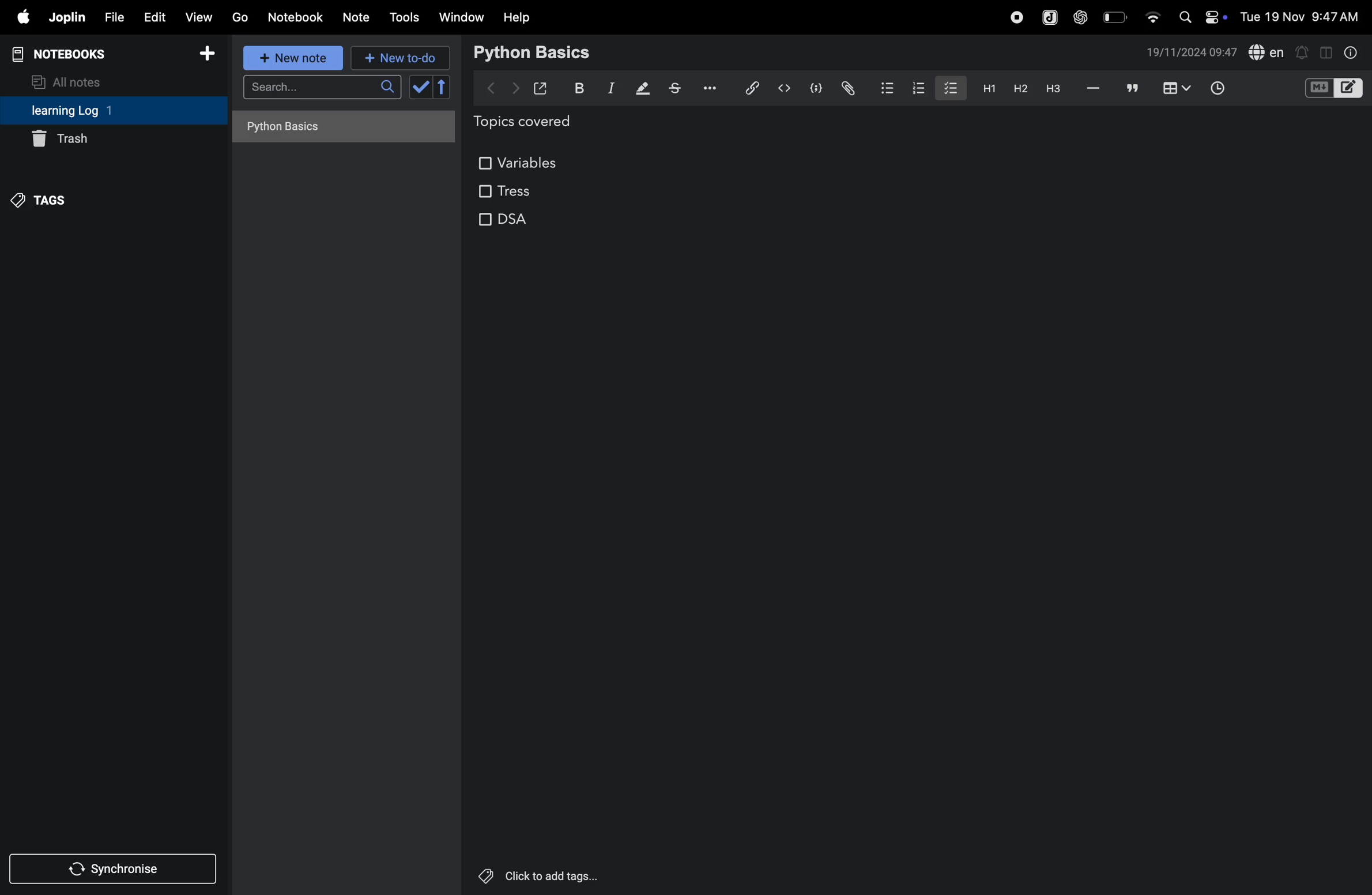 This screenshot has width=1372, height=895. I want to click on apple widgets, so click(1200, 16).